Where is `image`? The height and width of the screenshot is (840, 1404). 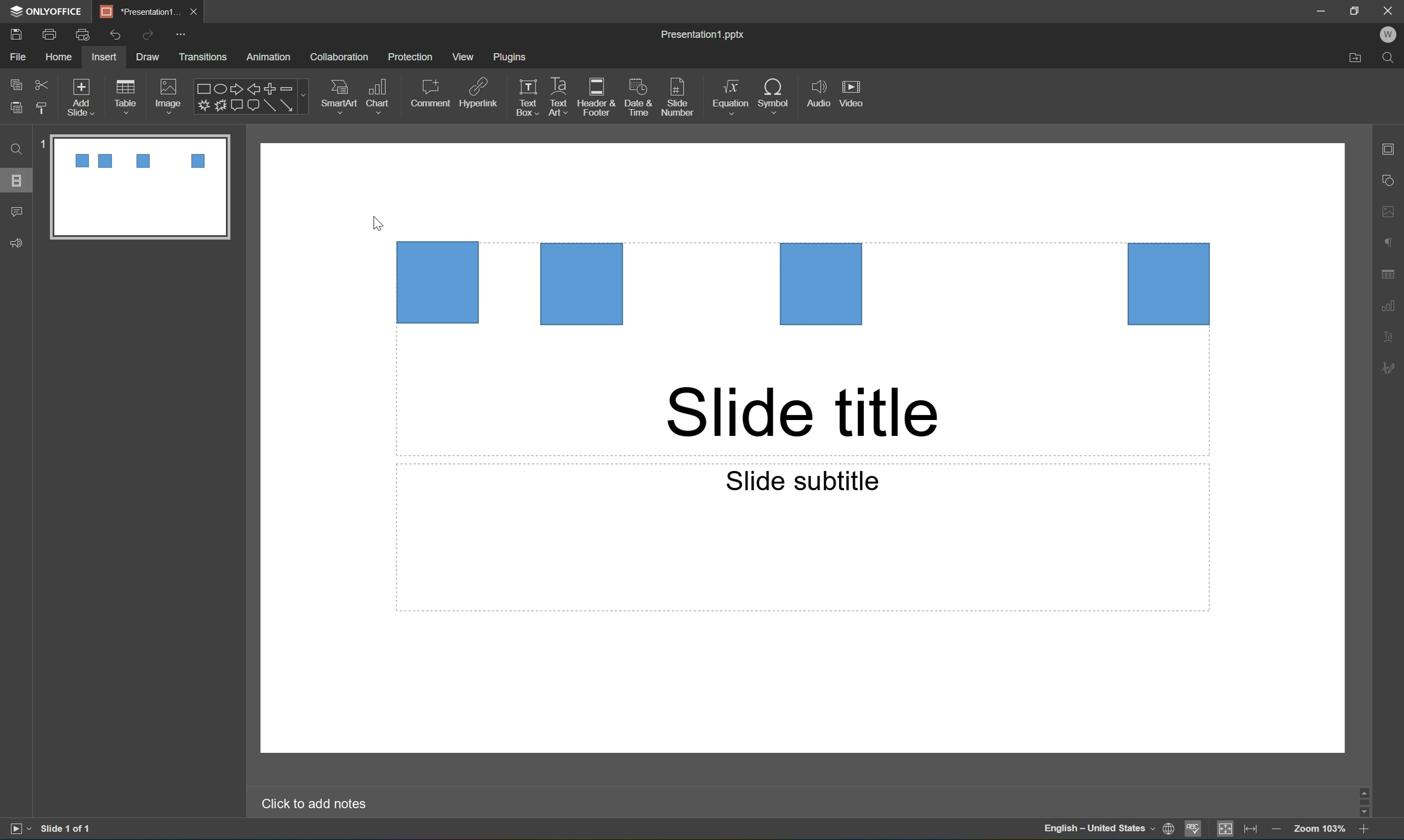
image is located at coordinates (168, 93).